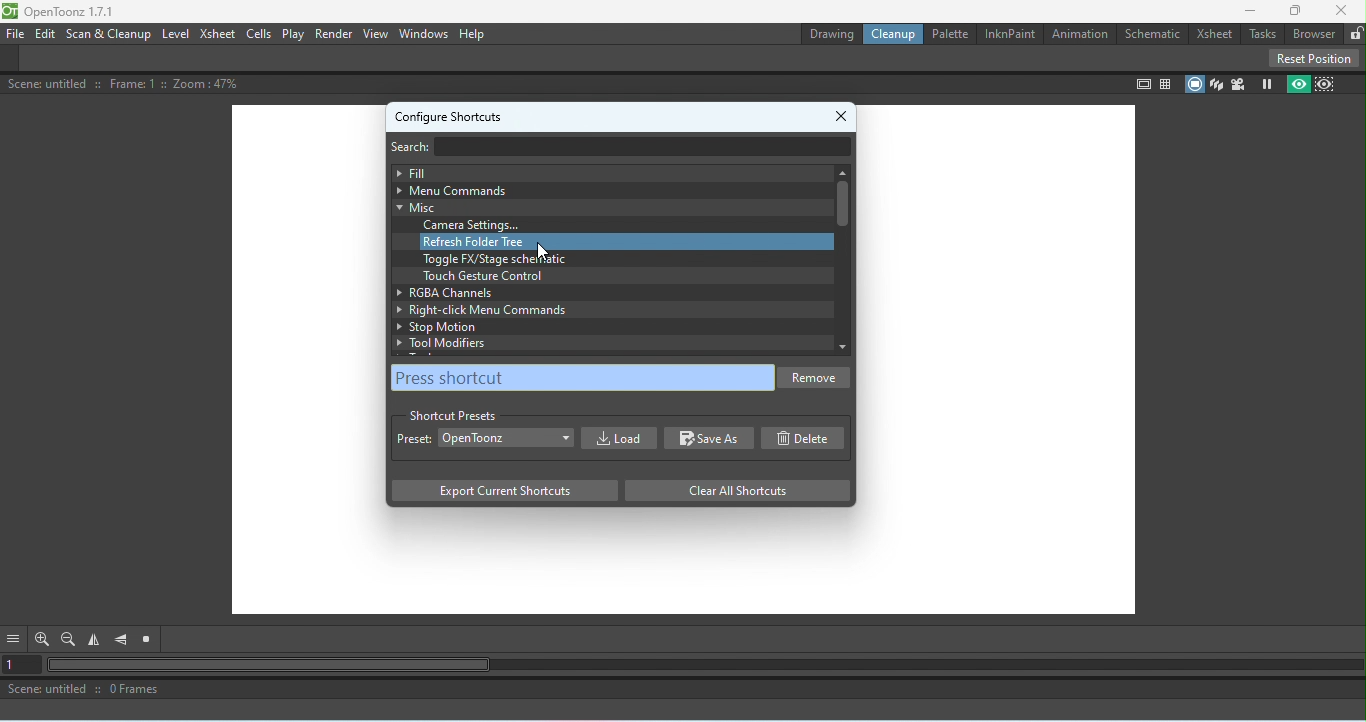 This screenshot has width=1366, height=722. Describe the element at coordinates (603, 310) in the screenshot. I see `Right-click menu commands` at that location.